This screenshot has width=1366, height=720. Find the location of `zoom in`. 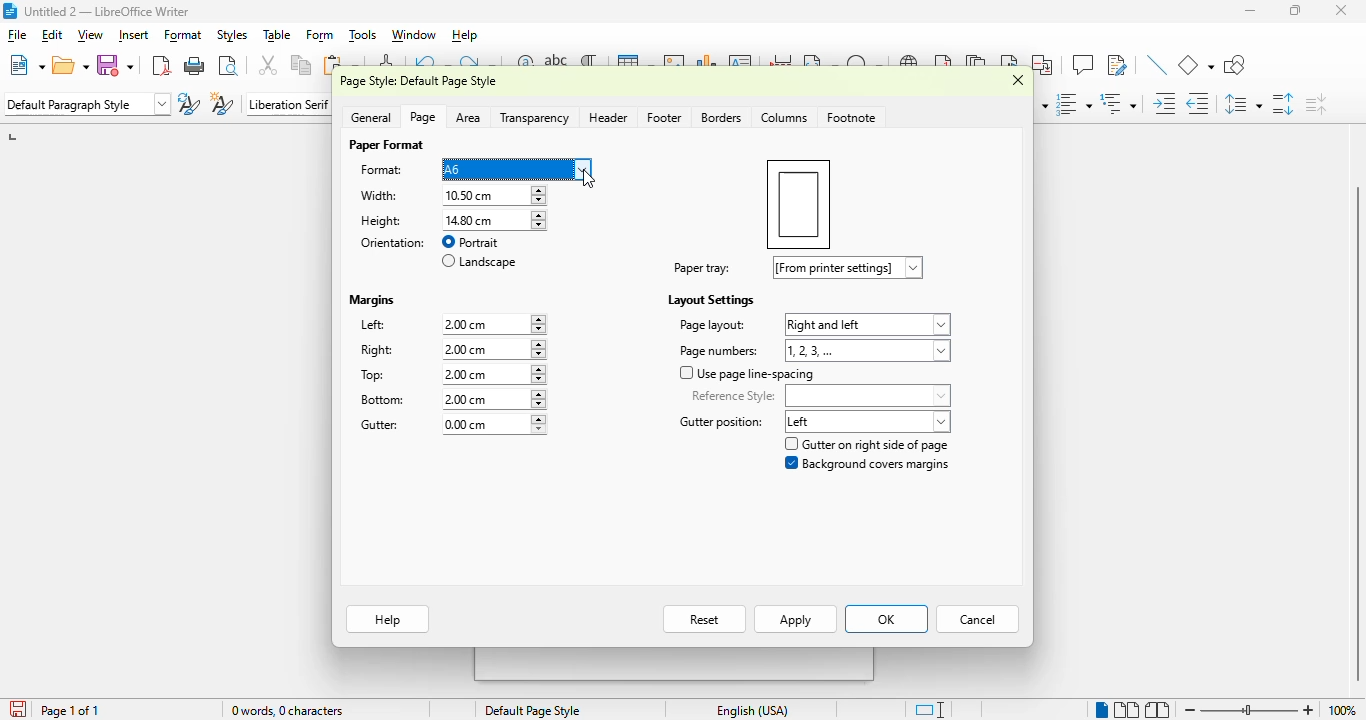

zoom in is located at coordinates (1309, 710).